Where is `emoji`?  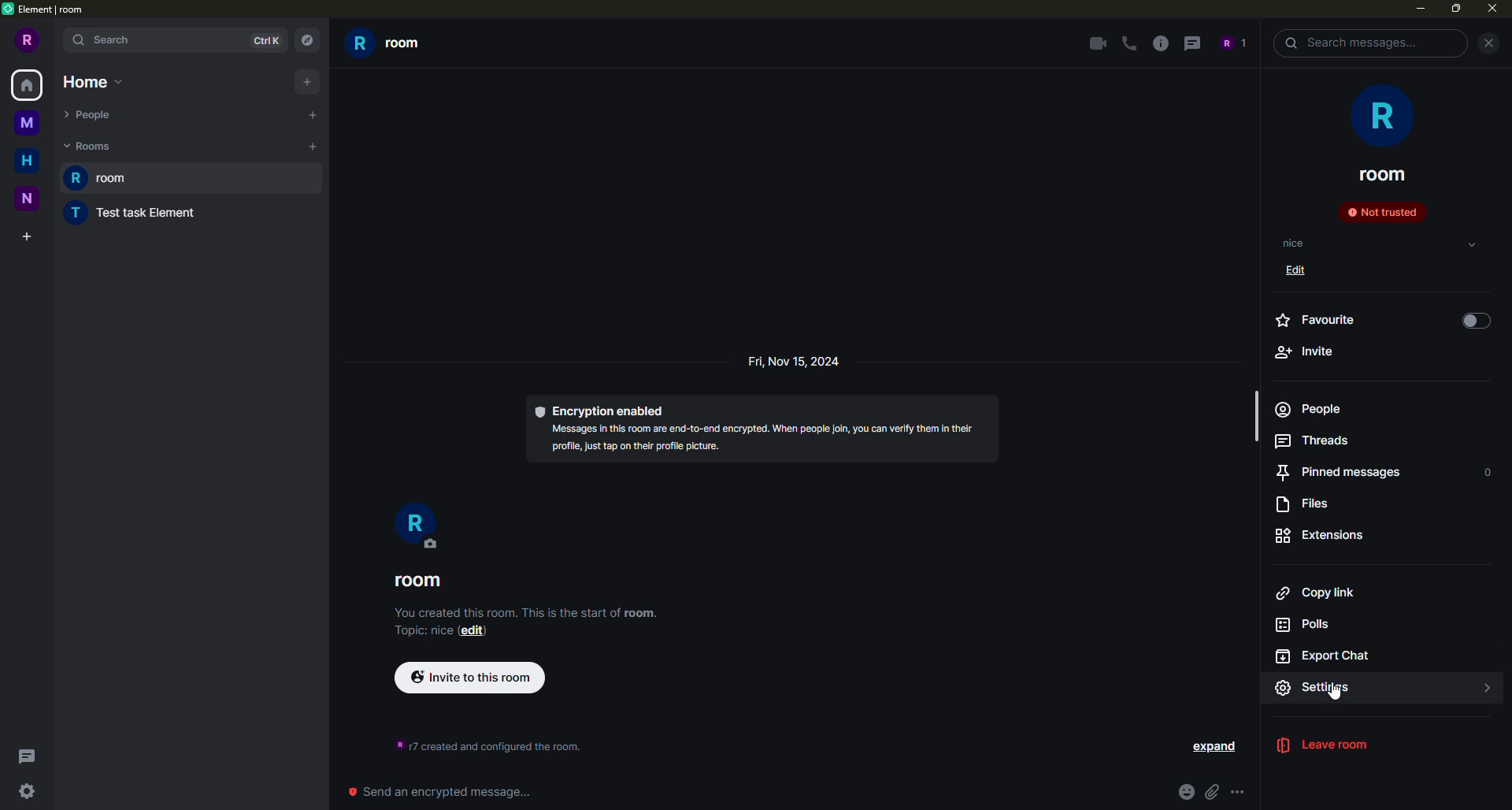 emoji is located at coordinates (1180, 790).